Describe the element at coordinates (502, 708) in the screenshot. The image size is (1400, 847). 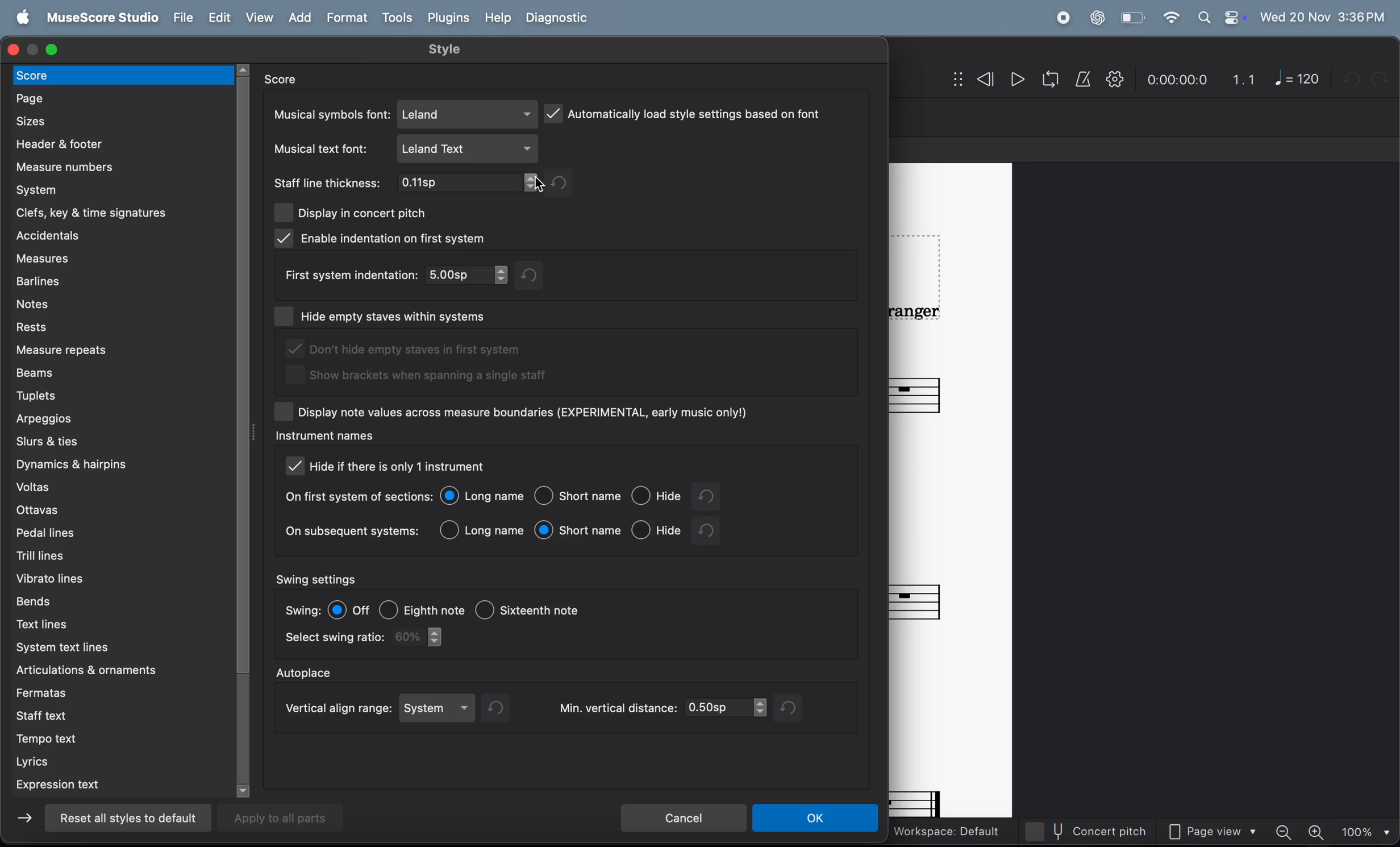
I see `redo` at that location.